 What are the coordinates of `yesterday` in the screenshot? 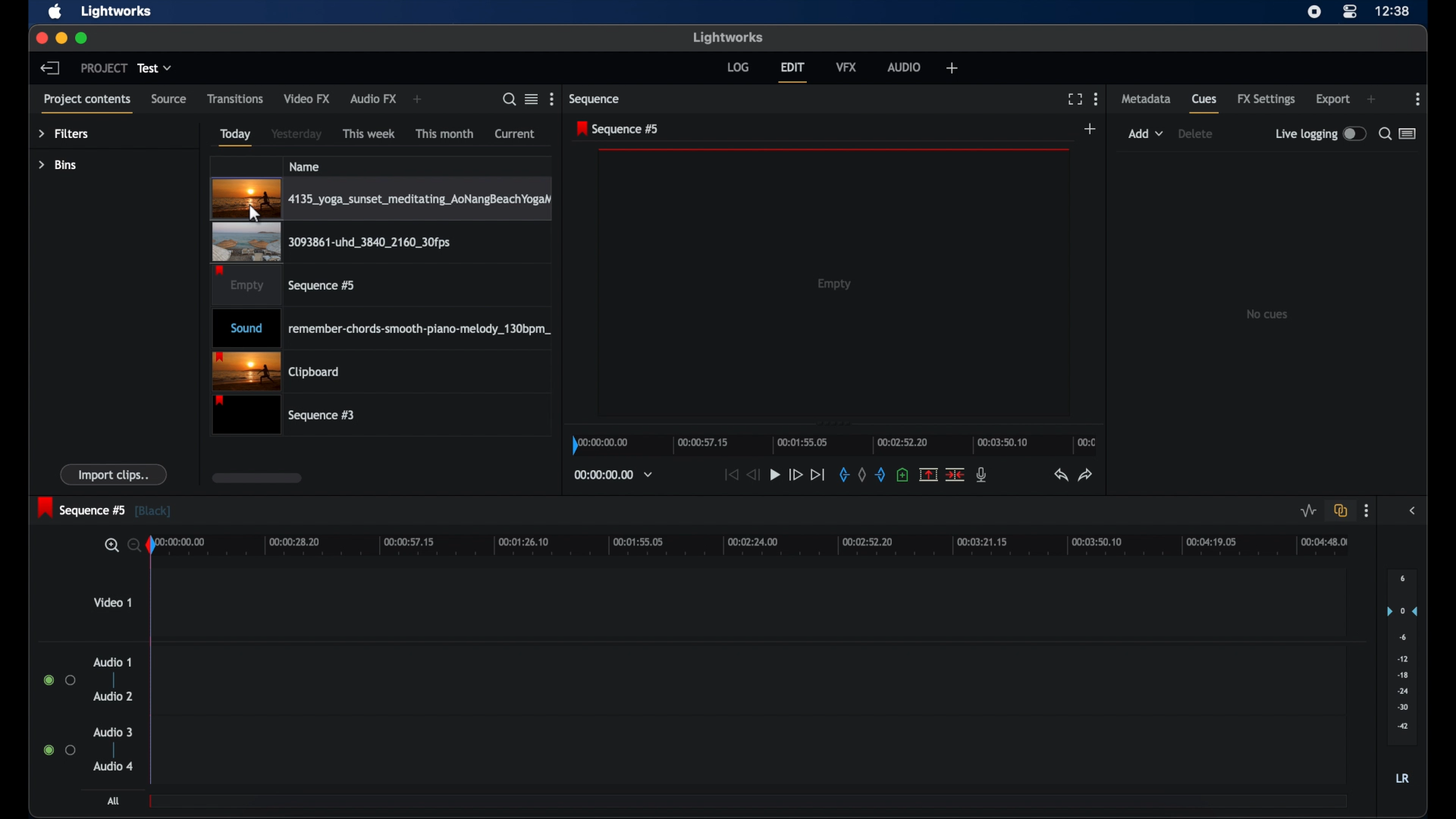 It's located at (297, 133).